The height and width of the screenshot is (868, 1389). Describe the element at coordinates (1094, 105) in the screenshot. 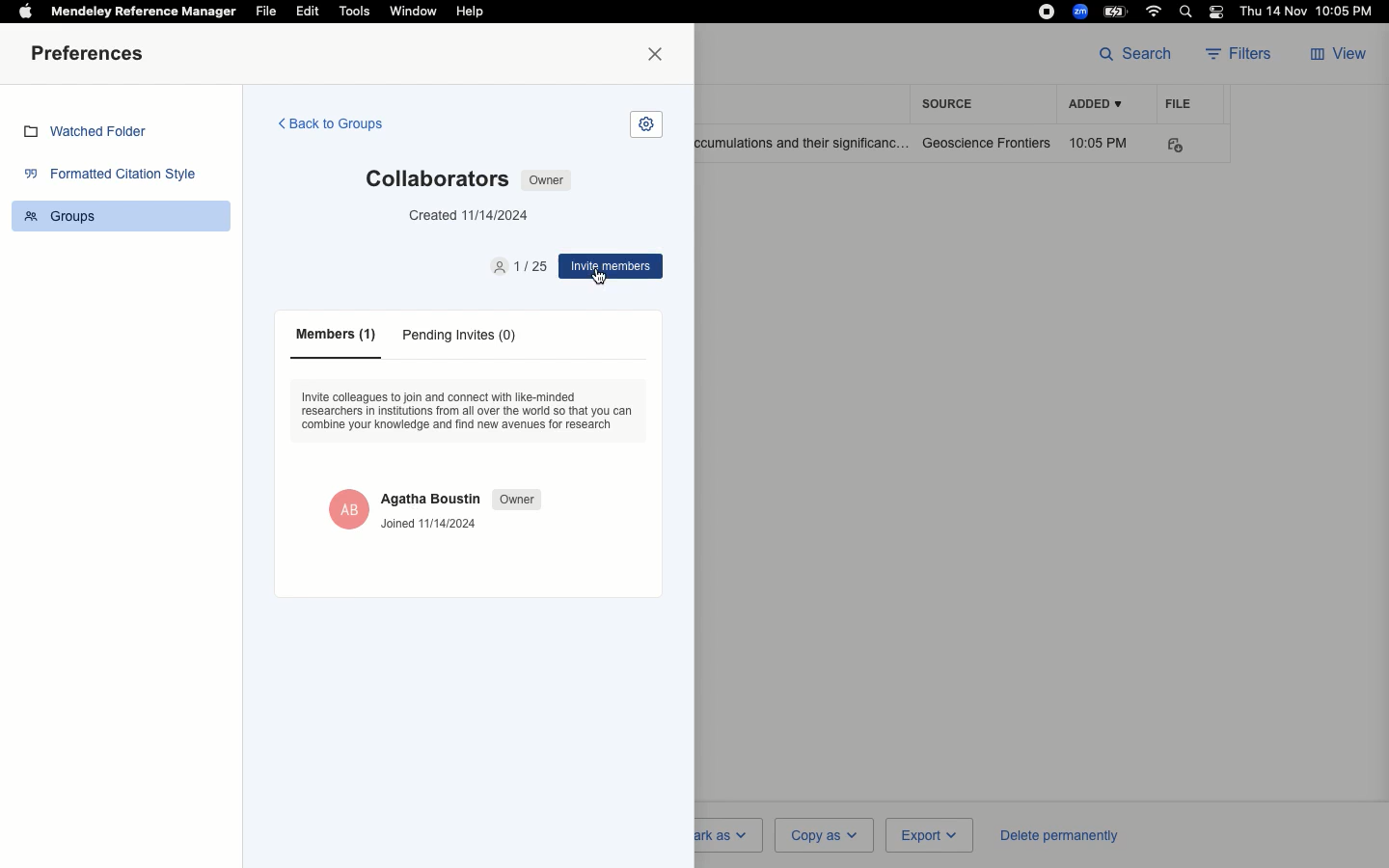

I see `Added` at that location.